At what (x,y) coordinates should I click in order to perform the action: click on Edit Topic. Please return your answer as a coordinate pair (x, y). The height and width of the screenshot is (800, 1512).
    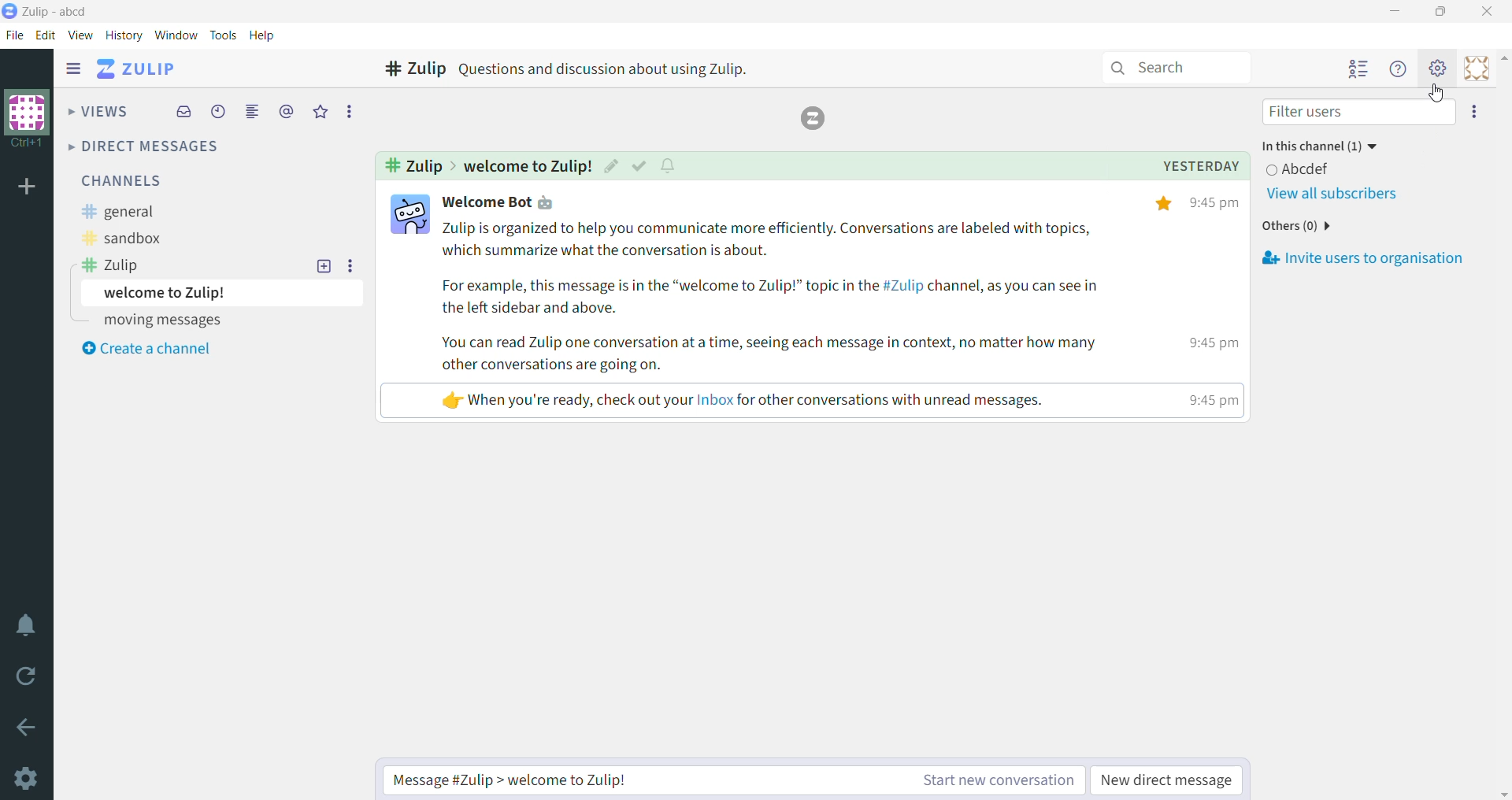
    Looking at the image, I should click on (611, 165).